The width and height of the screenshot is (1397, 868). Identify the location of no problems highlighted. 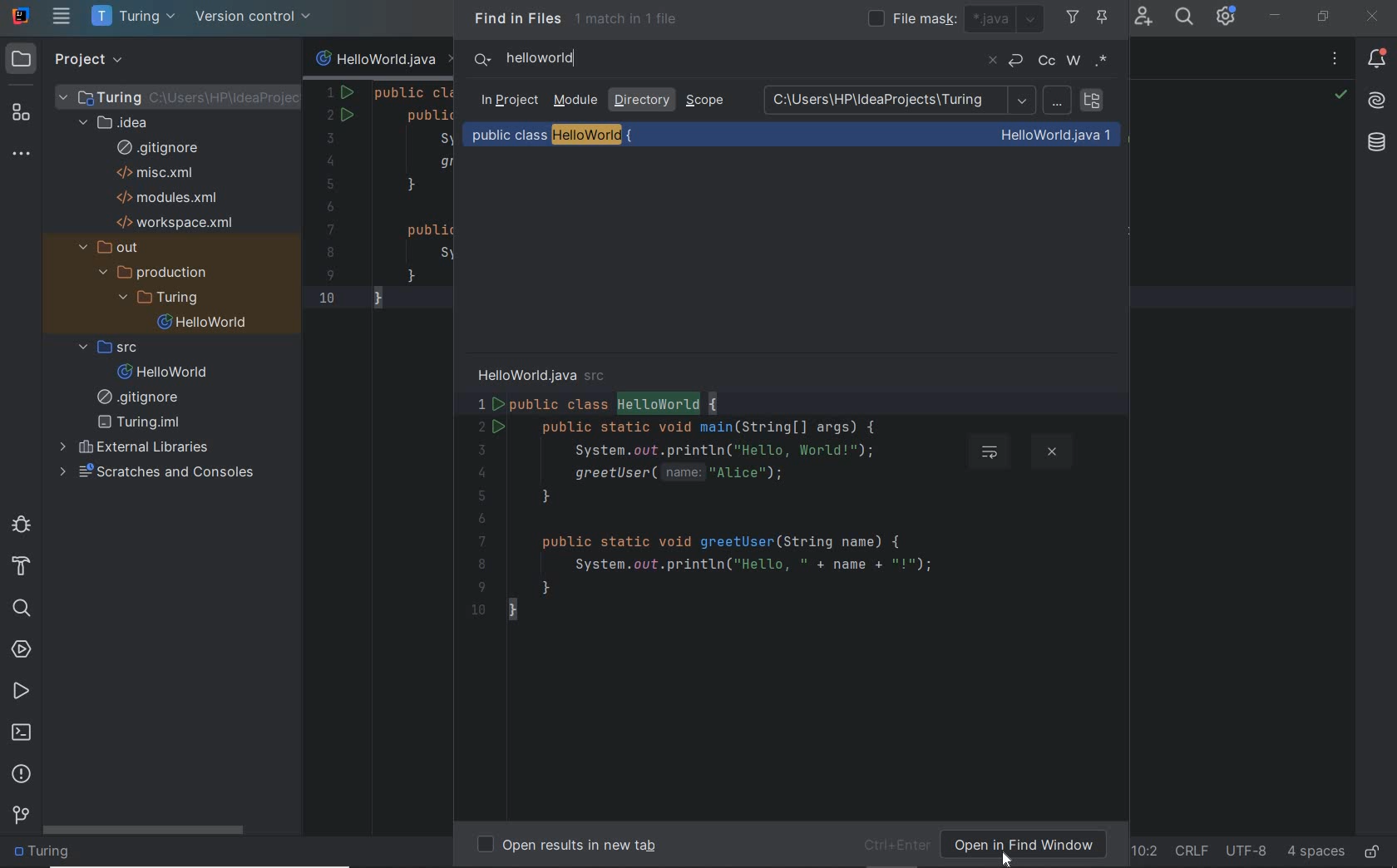
(1341, 95).